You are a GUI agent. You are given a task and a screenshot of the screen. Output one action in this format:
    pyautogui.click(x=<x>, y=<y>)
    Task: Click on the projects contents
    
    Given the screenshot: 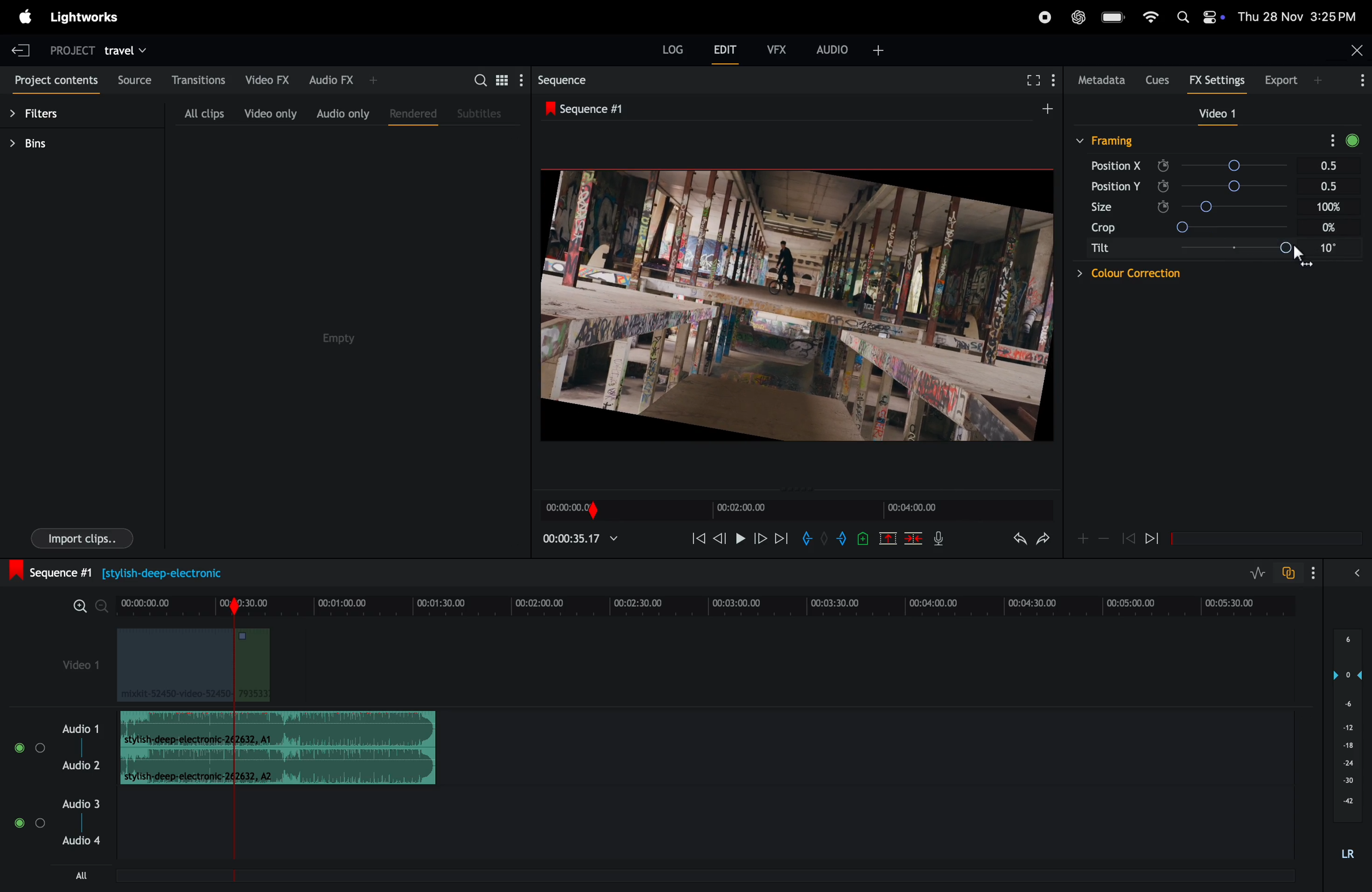 What is the action you would take?
    pyautogui.click(x=55, y=78)
    